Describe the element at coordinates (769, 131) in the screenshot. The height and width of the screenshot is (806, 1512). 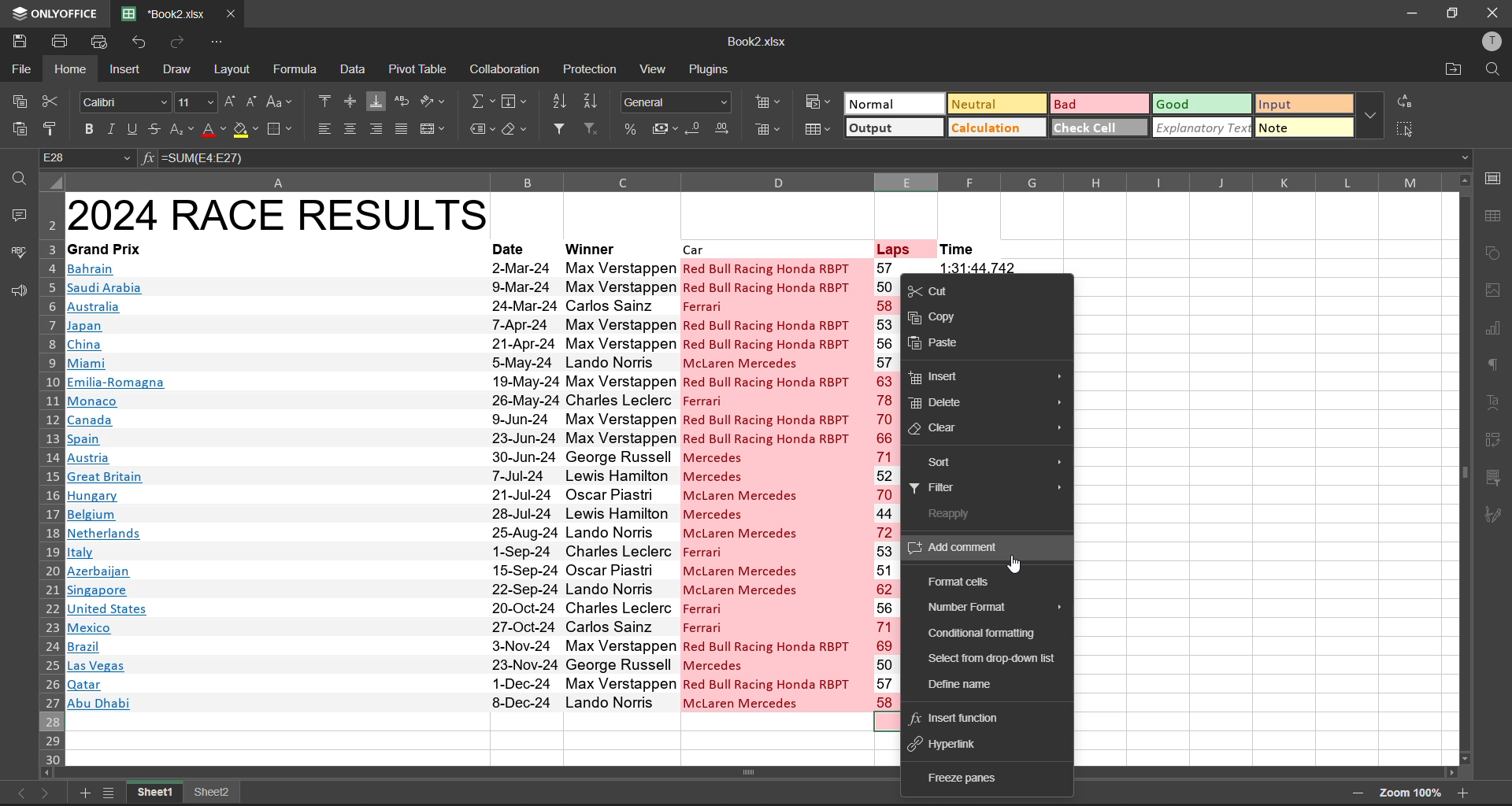
I see `remove cells` at that location.